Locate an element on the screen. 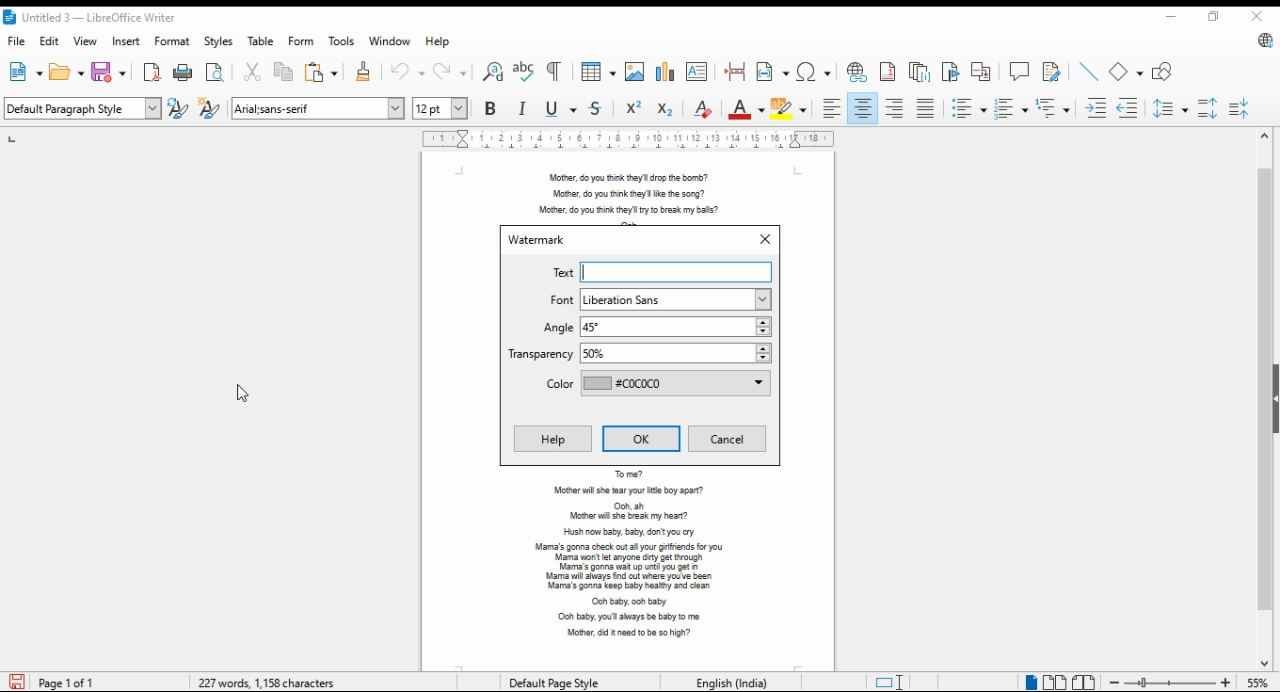 This screenshot has width=1280, height=692. simple shapes is located at coordinates (1125, 72).